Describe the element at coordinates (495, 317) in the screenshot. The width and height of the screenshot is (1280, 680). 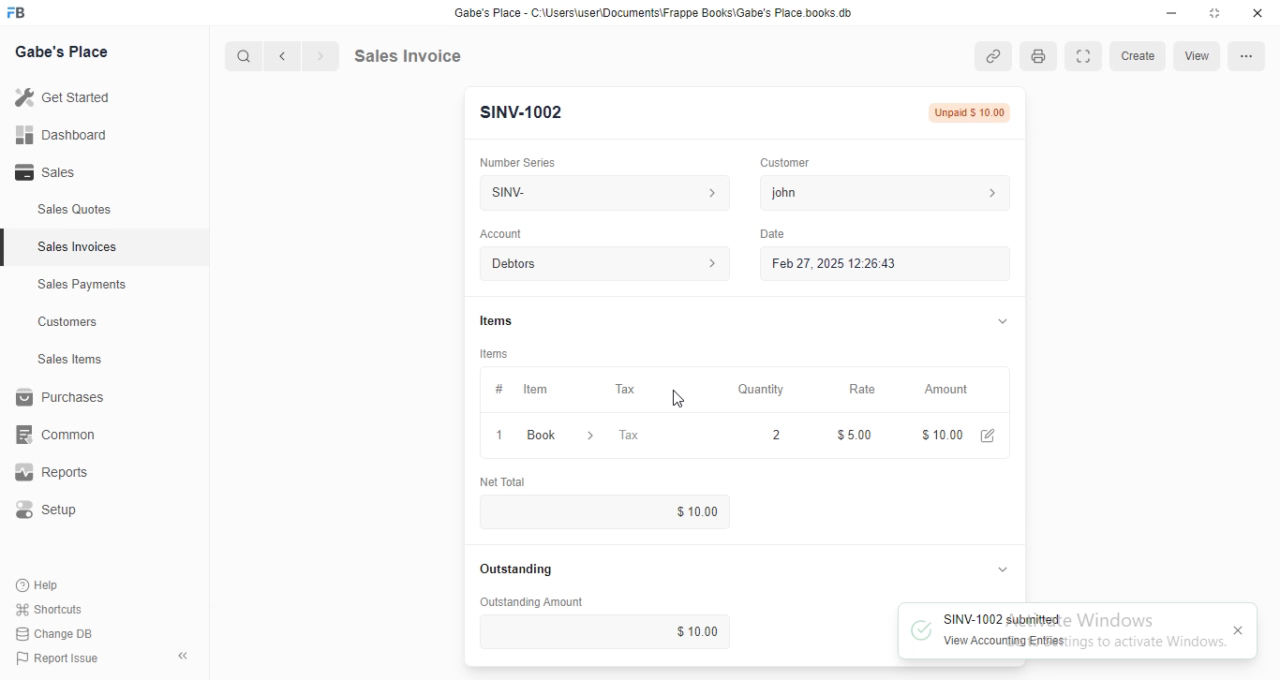
I see `Items` at that location.